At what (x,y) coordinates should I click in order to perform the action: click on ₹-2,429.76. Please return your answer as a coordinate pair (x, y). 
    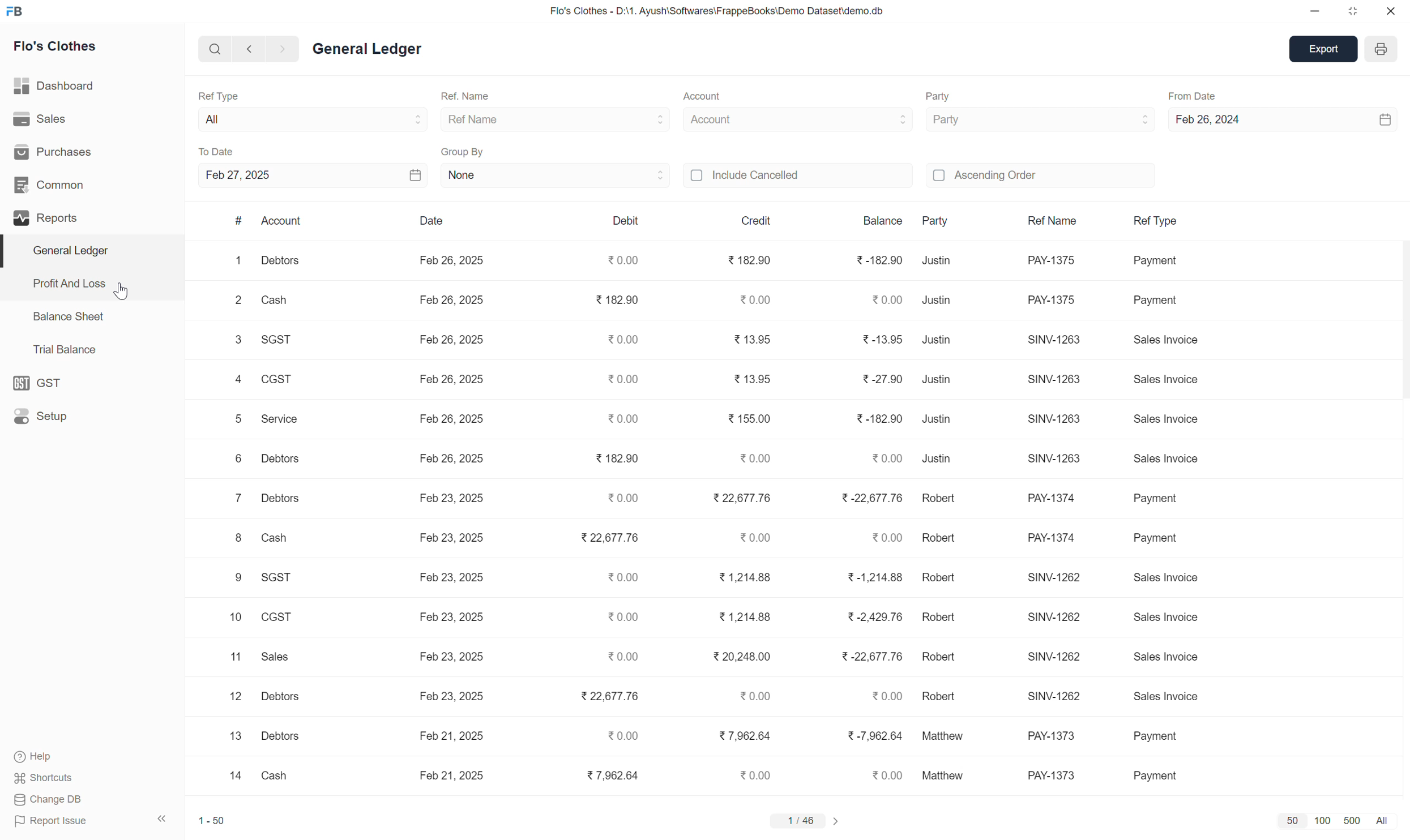
    Looking at the image, I should click on (873, 620).